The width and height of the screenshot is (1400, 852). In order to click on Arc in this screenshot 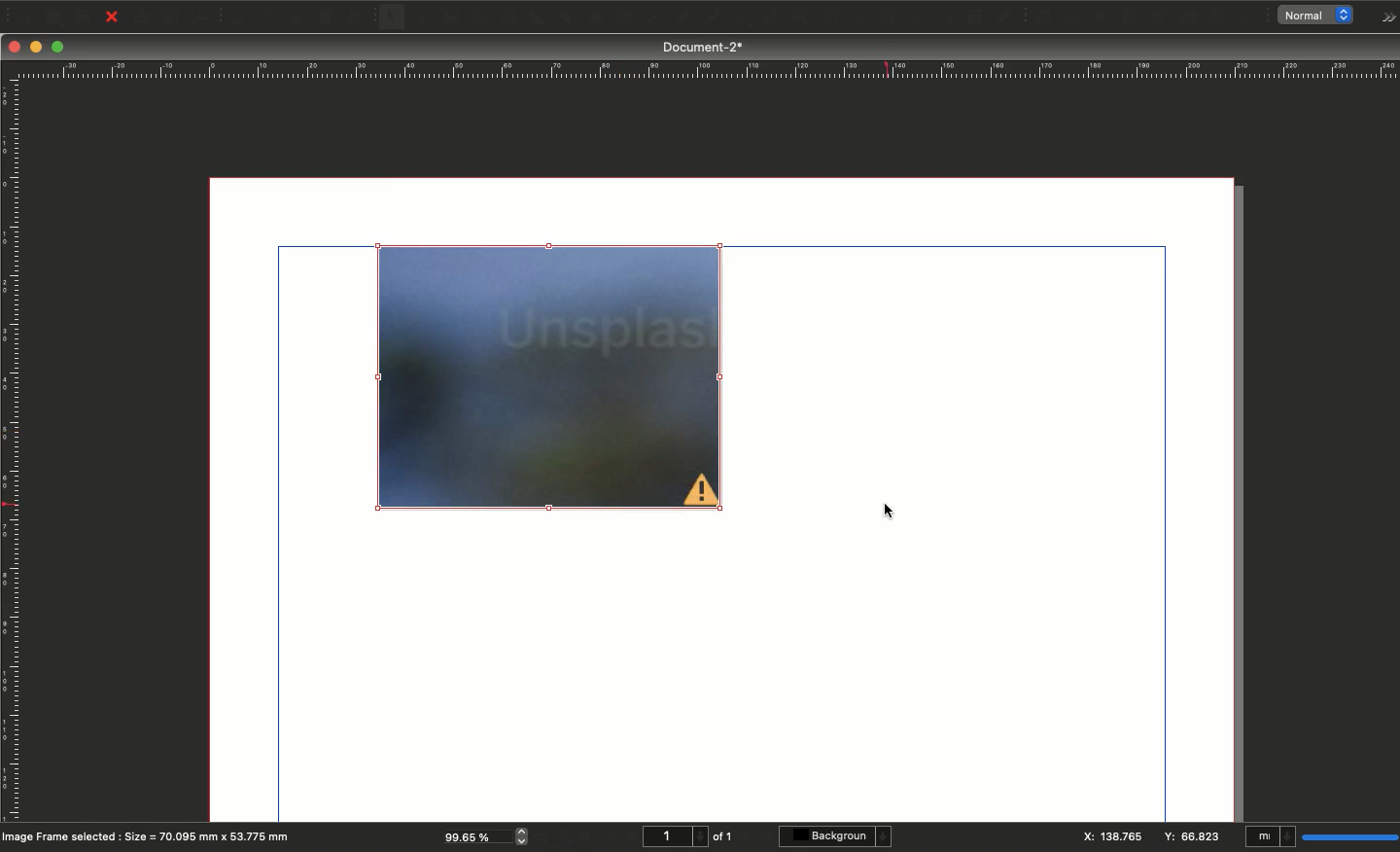, I will do `click(595, 18)`.